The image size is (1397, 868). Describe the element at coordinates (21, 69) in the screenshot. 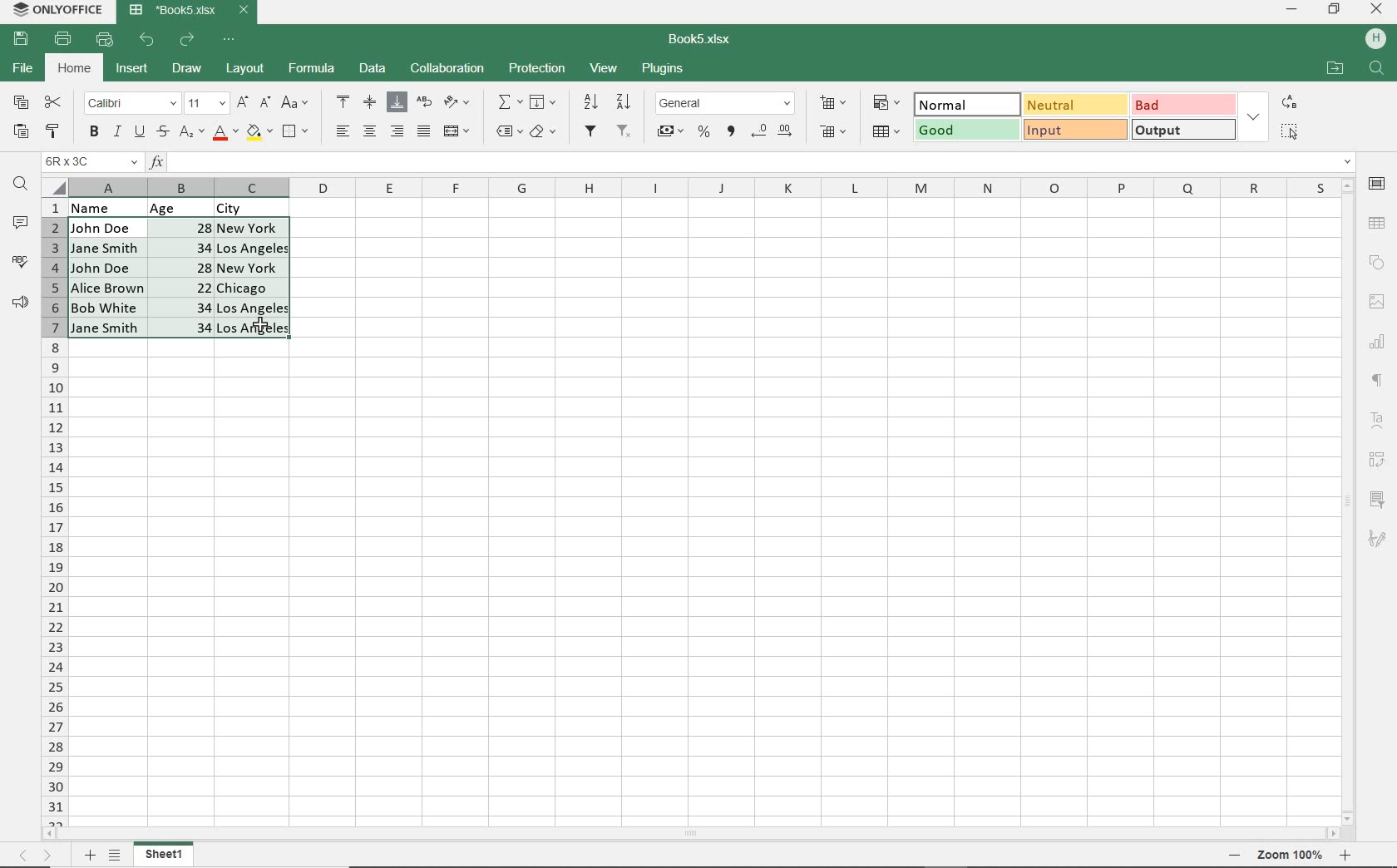

I see `FILE` at that location.